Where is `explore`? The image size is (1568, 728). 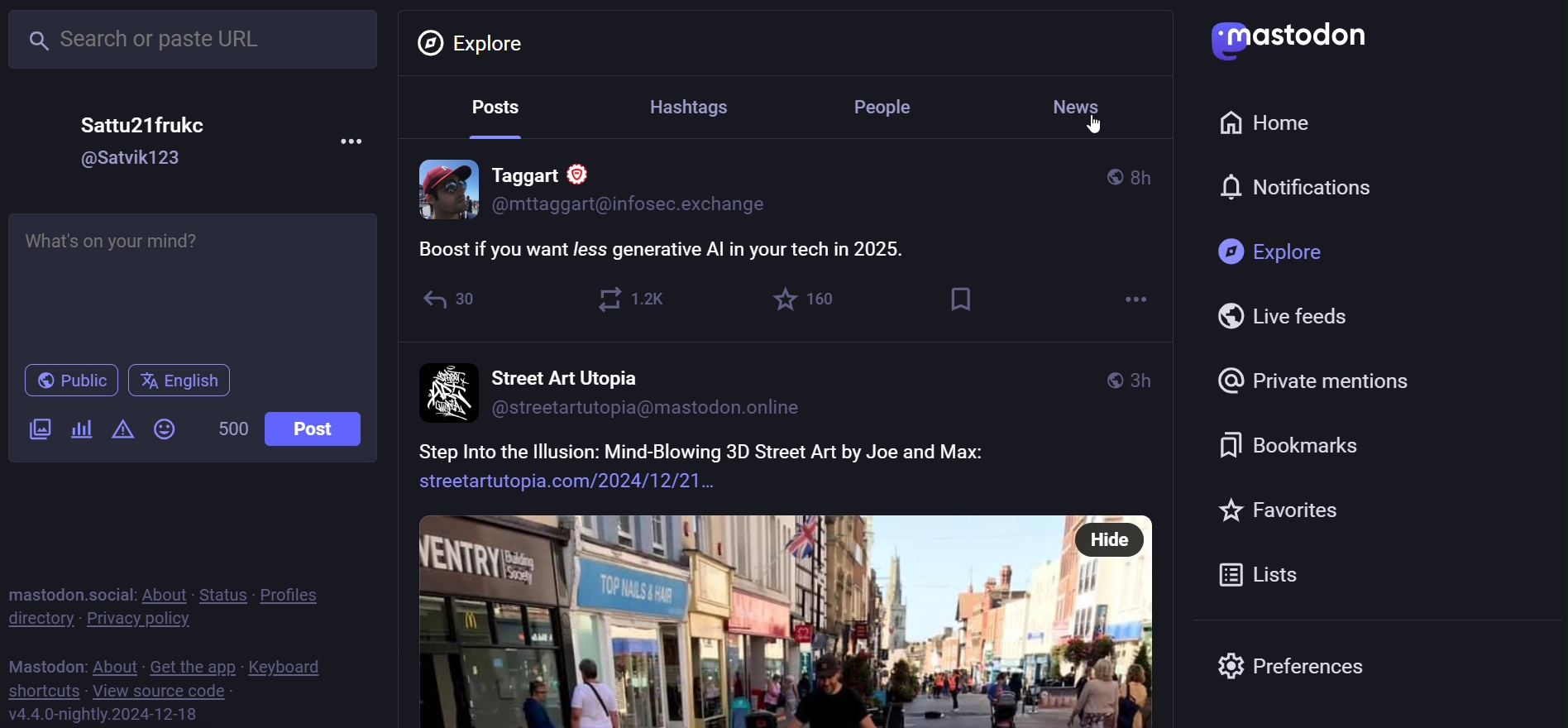 explore is located at coordinates (1273, 252).